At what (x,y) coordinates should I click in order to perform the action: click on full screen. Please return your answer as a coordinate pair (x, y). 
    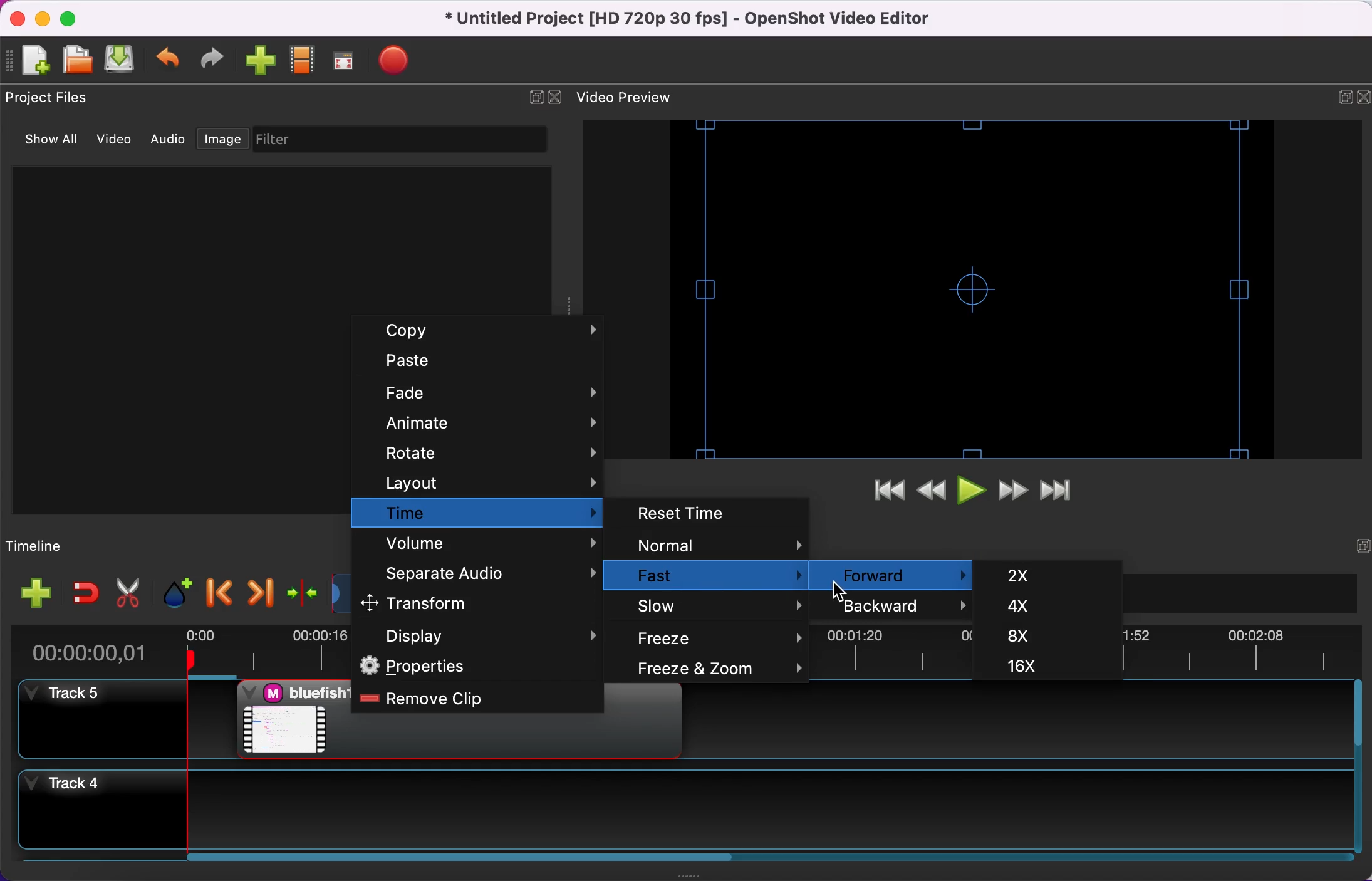
    Looking at the image, I should click on (349, 60).